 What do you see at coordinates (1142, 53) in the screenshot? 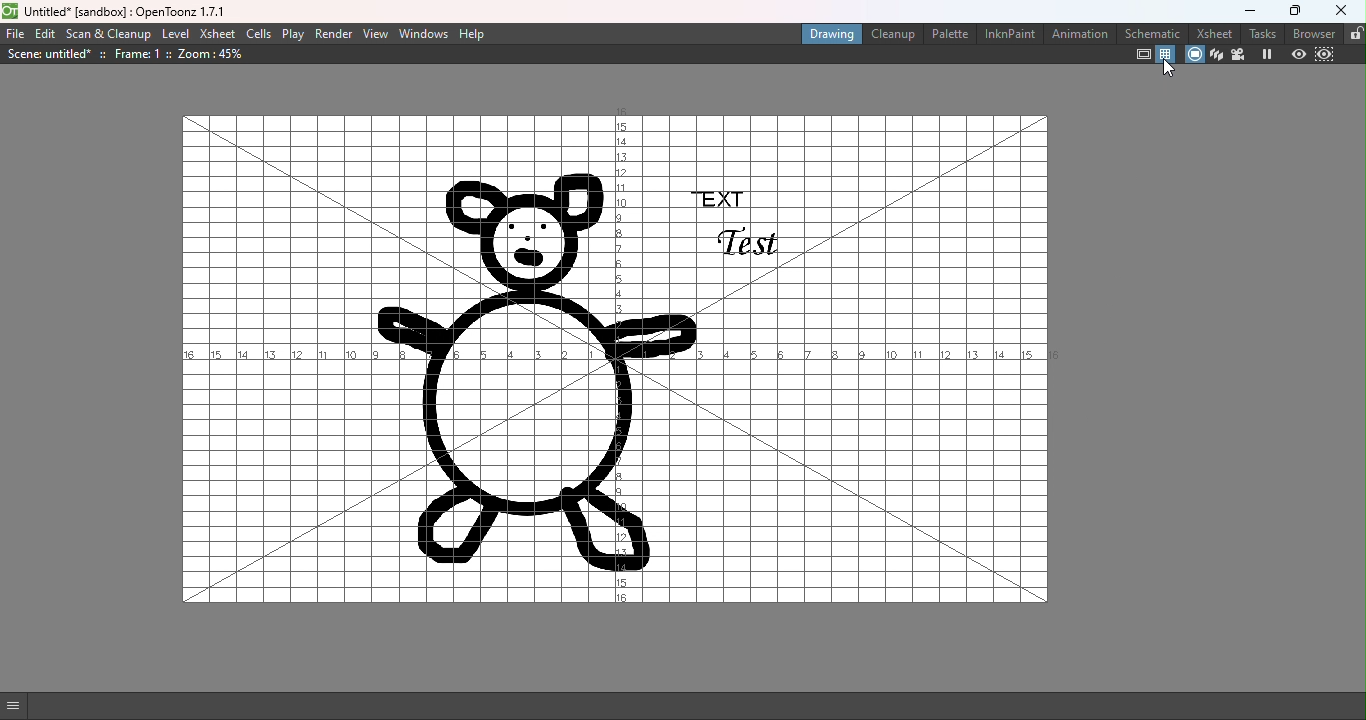
I see `Safe area` at bounding box center [1142, 53].